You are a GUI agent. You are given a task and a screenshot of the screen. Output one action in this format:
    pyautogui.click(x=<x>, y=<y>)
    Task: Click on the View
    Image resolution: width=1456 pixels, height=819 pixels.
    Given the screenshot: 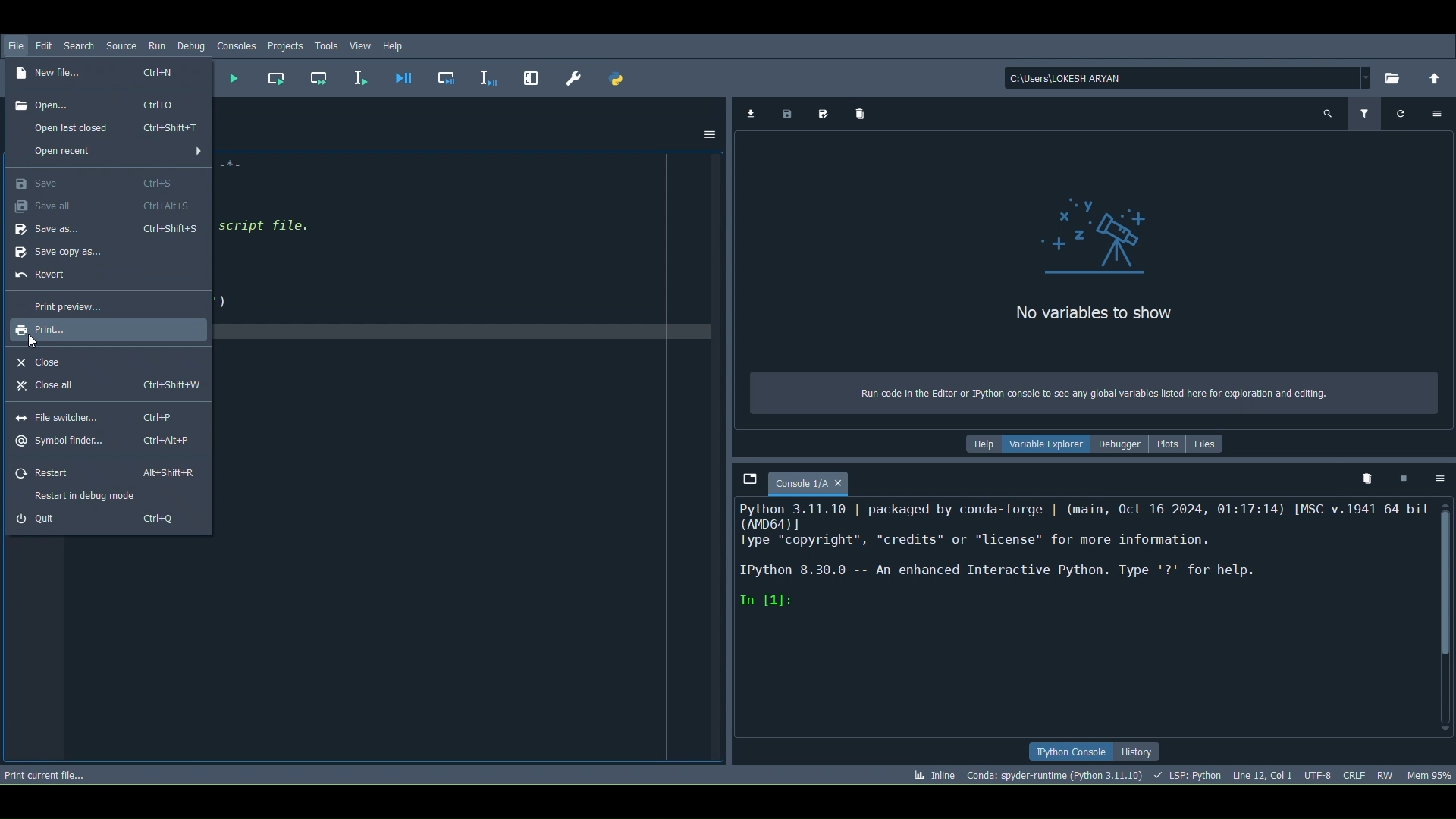 What is the action you would take?
    pyautogui.click(x=361, y=46)
    